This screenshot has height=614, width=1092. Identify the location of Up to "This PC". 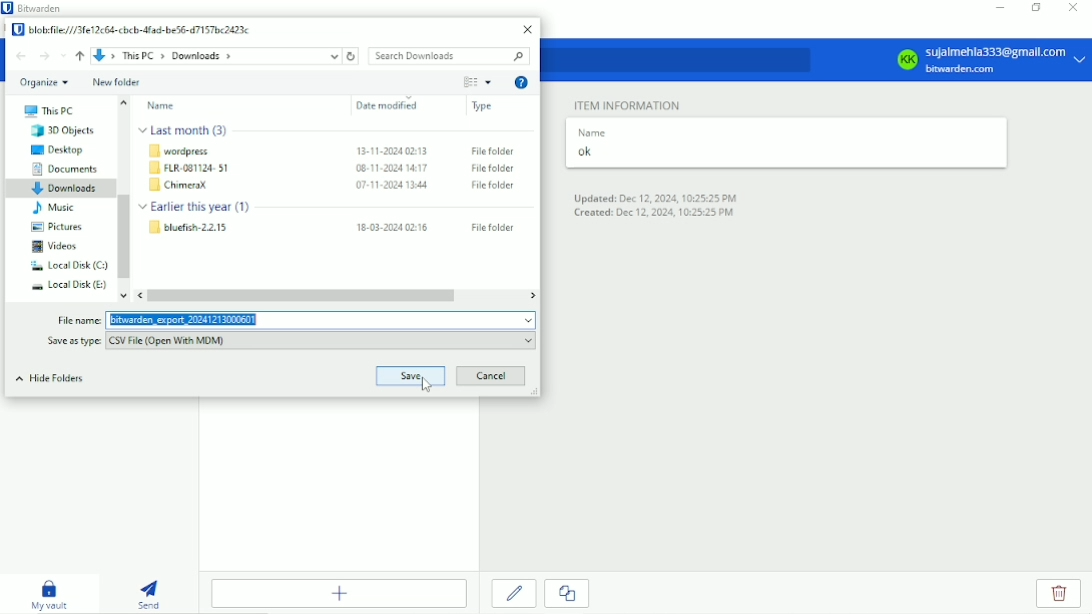
(79, 56).